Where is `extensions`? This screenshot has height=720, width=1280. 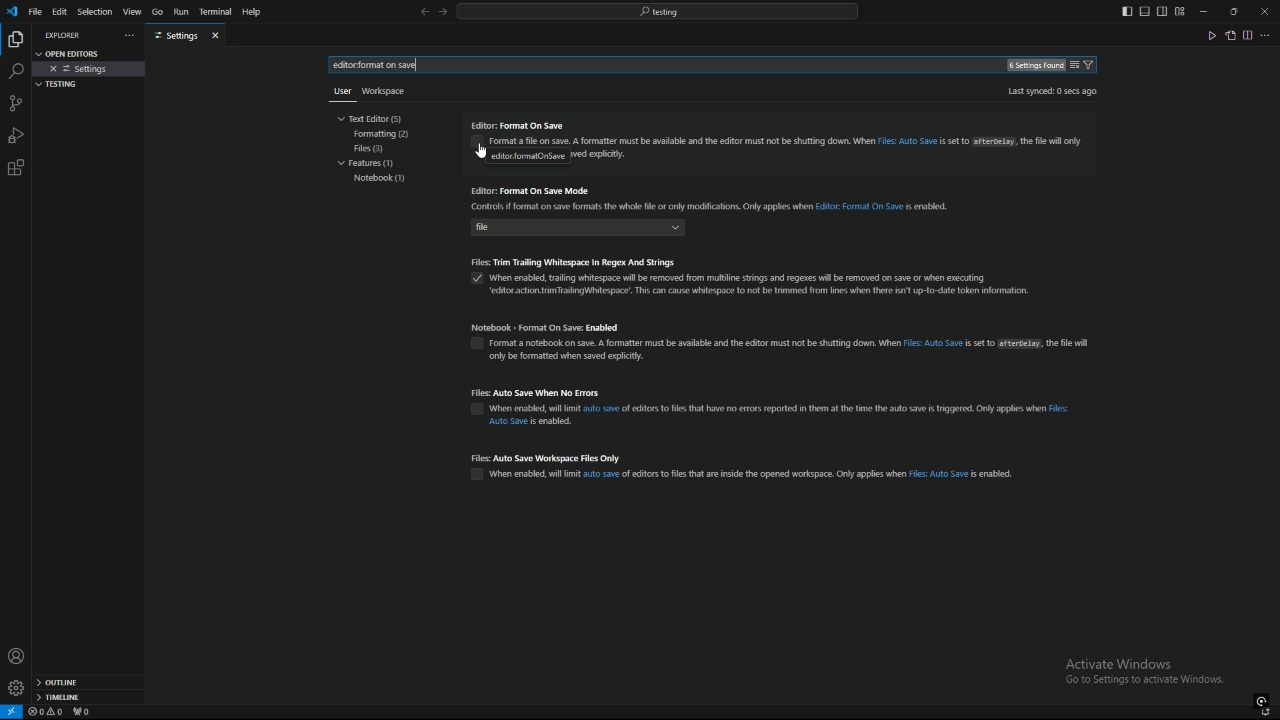
extensions is located at coordinates (16, 168).